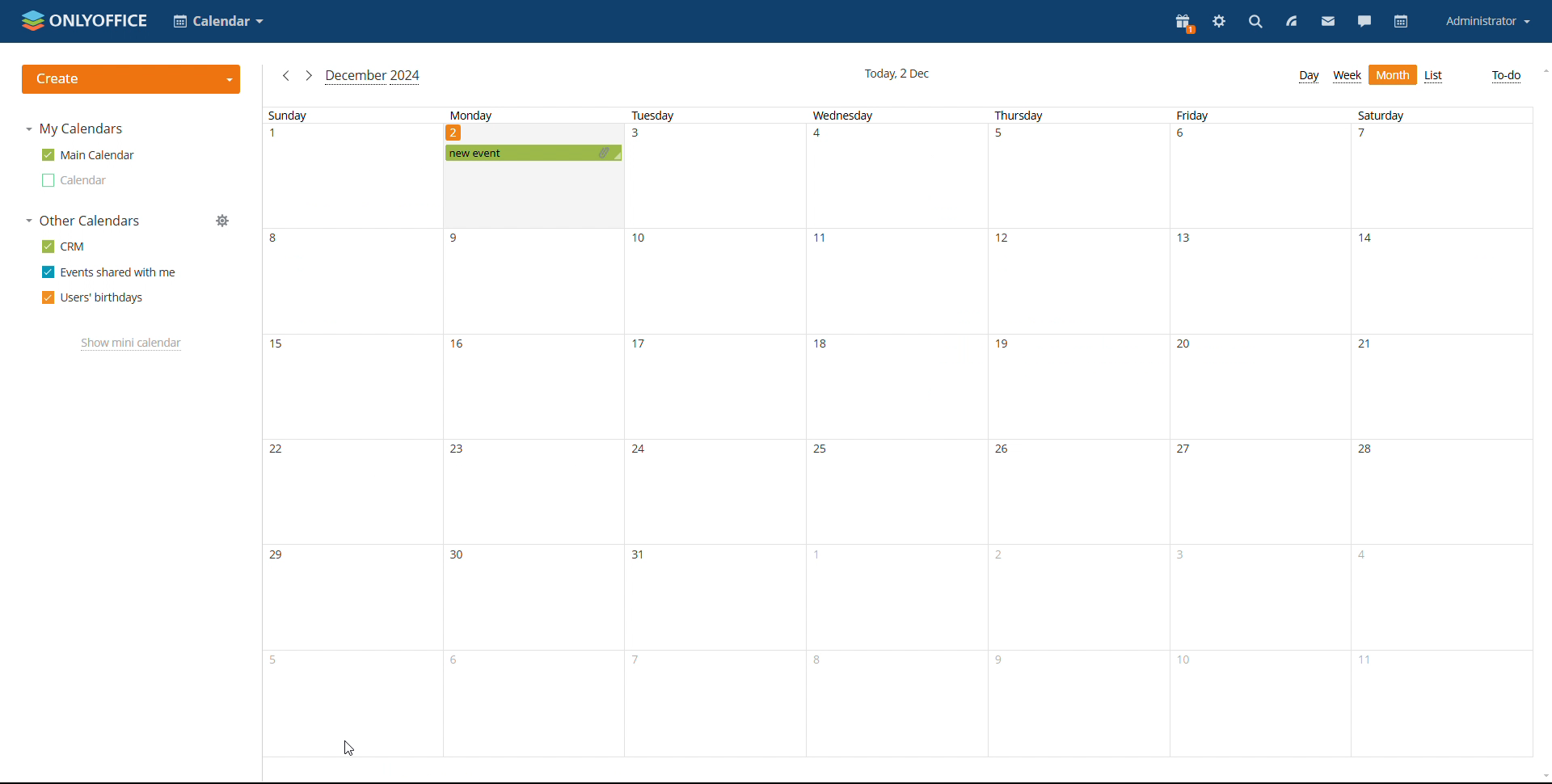 This screenshot has height=784, width=1552. What do you see at coordinates (91, 298) in the screenshot?
I see `users' birthdays` at bounding box center [91, 298].